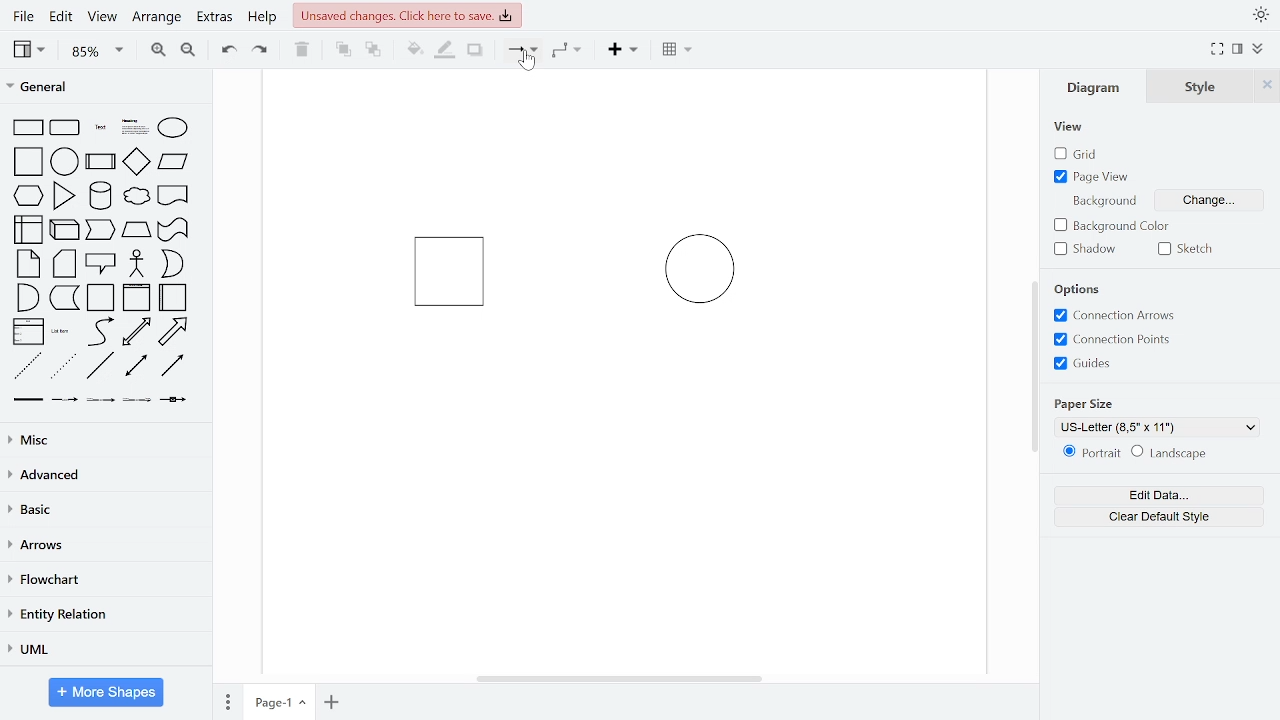 This screenshot has height=720, width=1280. Describe the element at coordinates (522, 51) in the screenshot. I see `connector` at that location.